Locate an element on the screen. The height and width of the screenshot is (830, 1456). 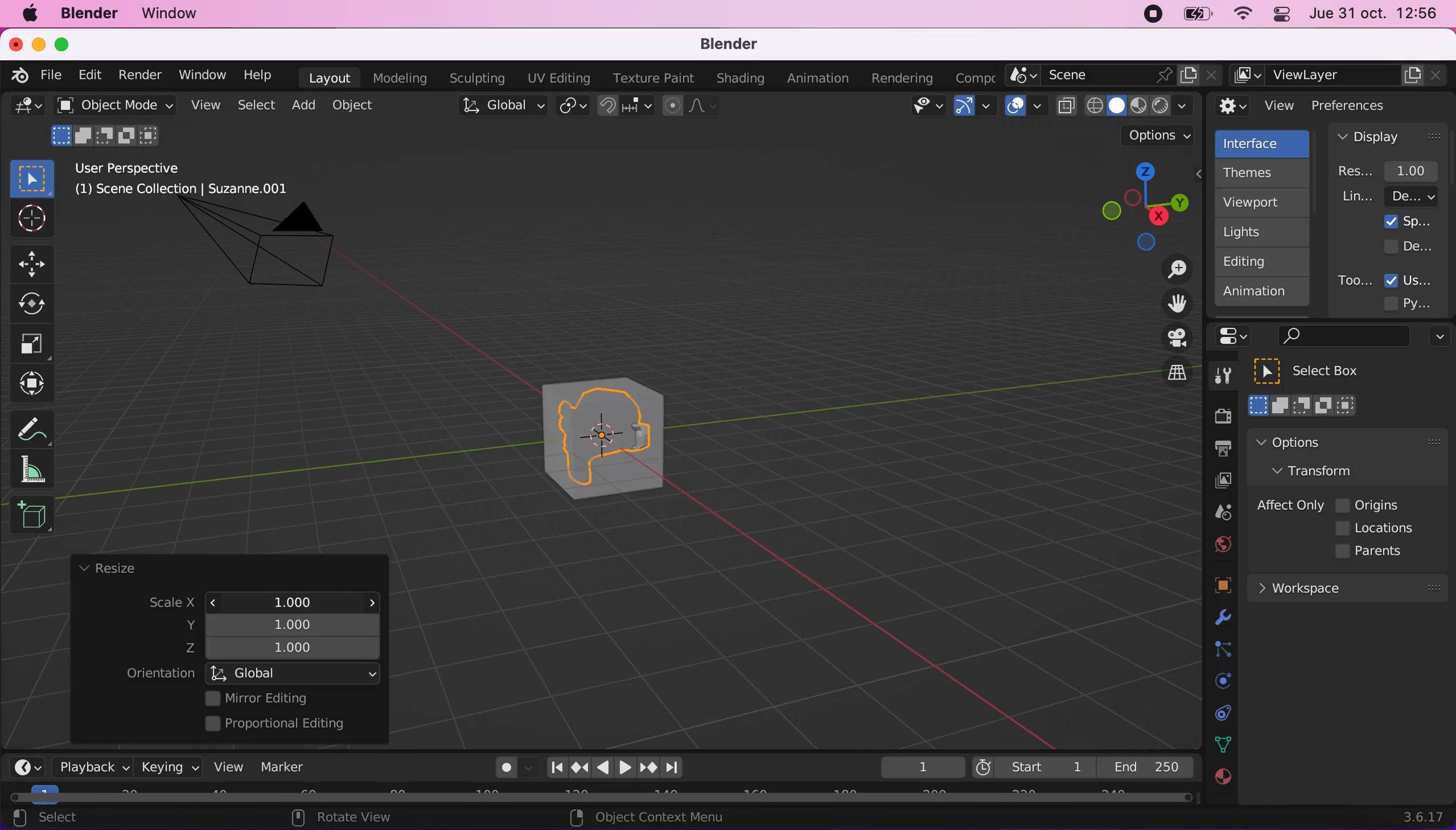
measure is located at coordinates (40, 469).